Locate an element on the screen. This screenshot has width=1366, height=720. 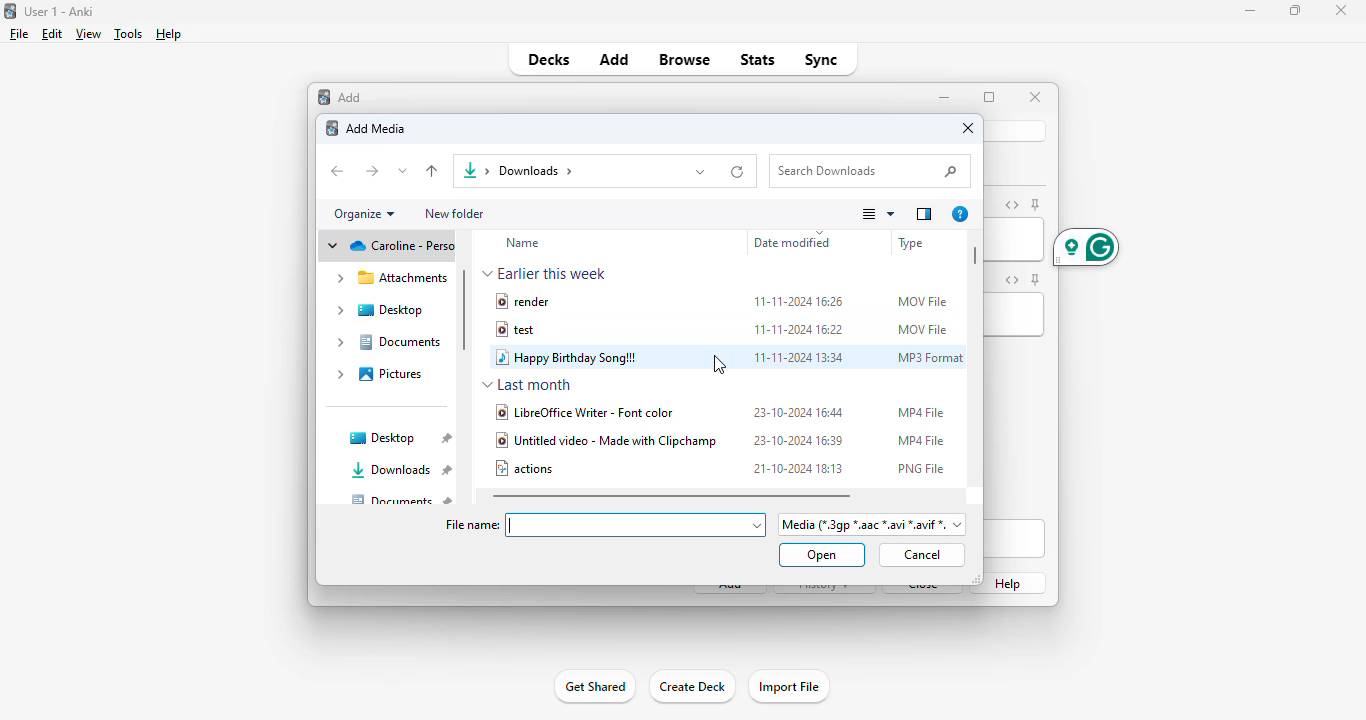
sync is located at coordinates (820, 60).